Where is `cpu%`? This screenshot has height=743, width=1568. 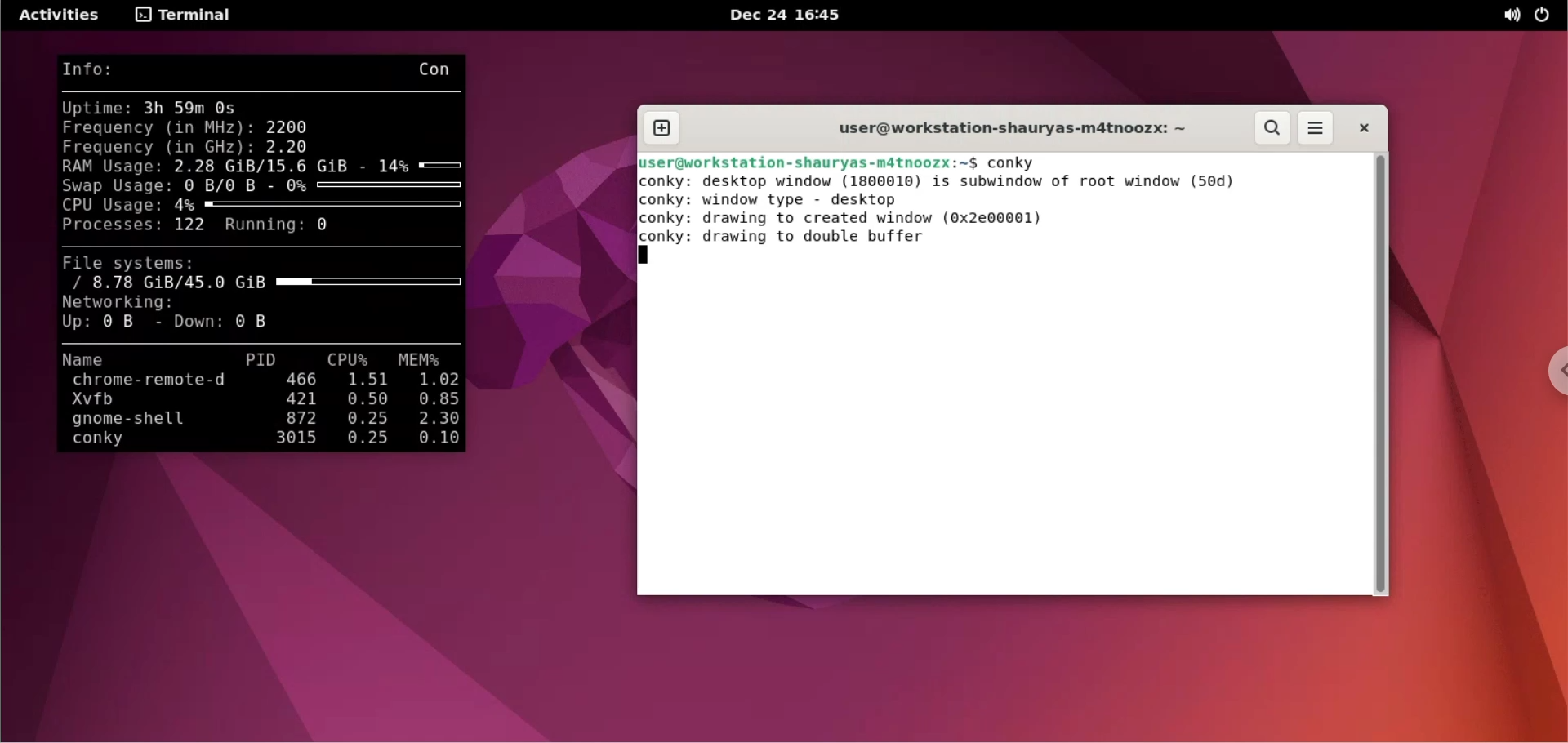
cpu% is located at coordinates (350, 358).